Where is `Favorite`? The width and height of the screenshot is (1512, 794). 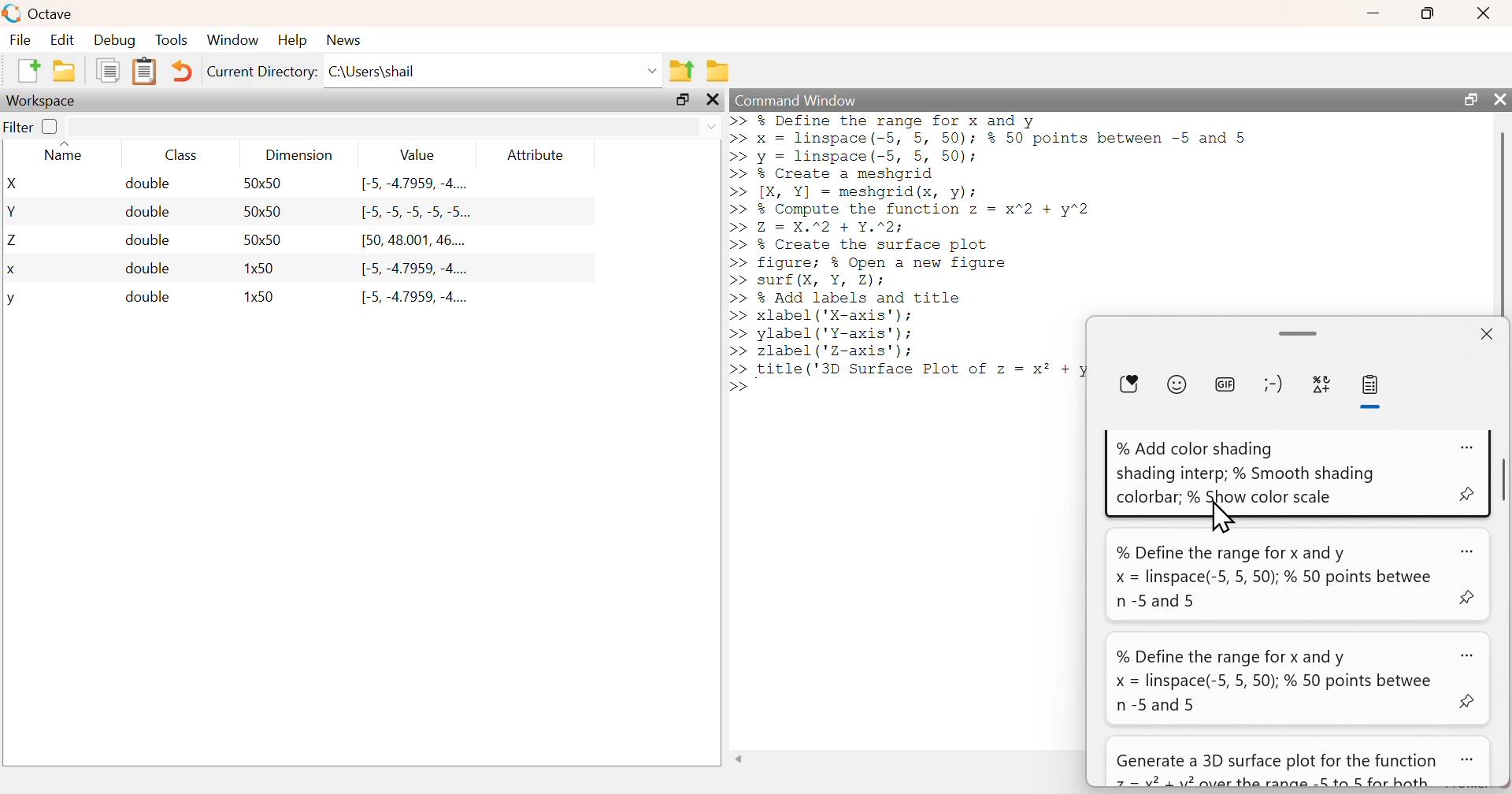 Favorite is located at coordinates (1128, 385).